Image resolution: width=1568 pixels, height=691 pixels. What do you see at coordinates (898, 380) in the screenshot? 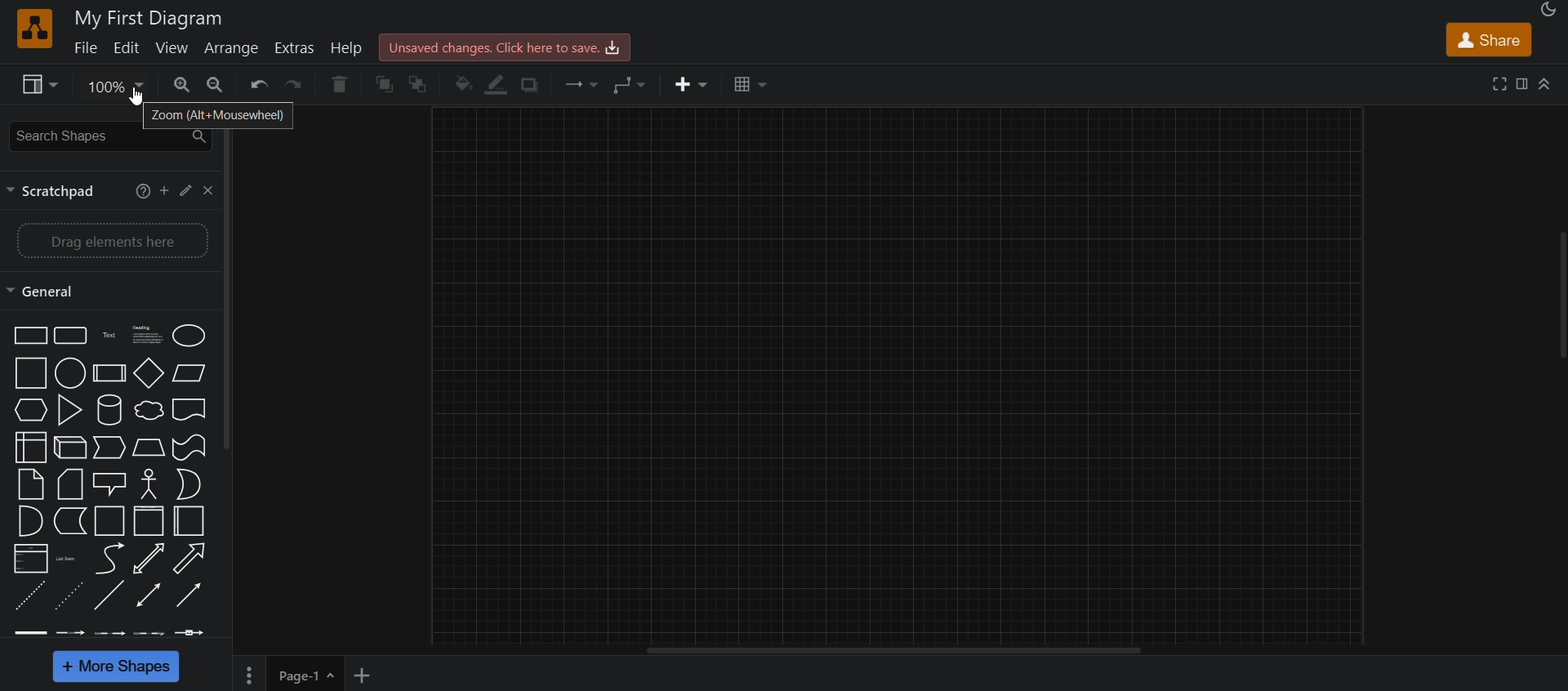
I see `canvas` at bounding box center [898, 380].